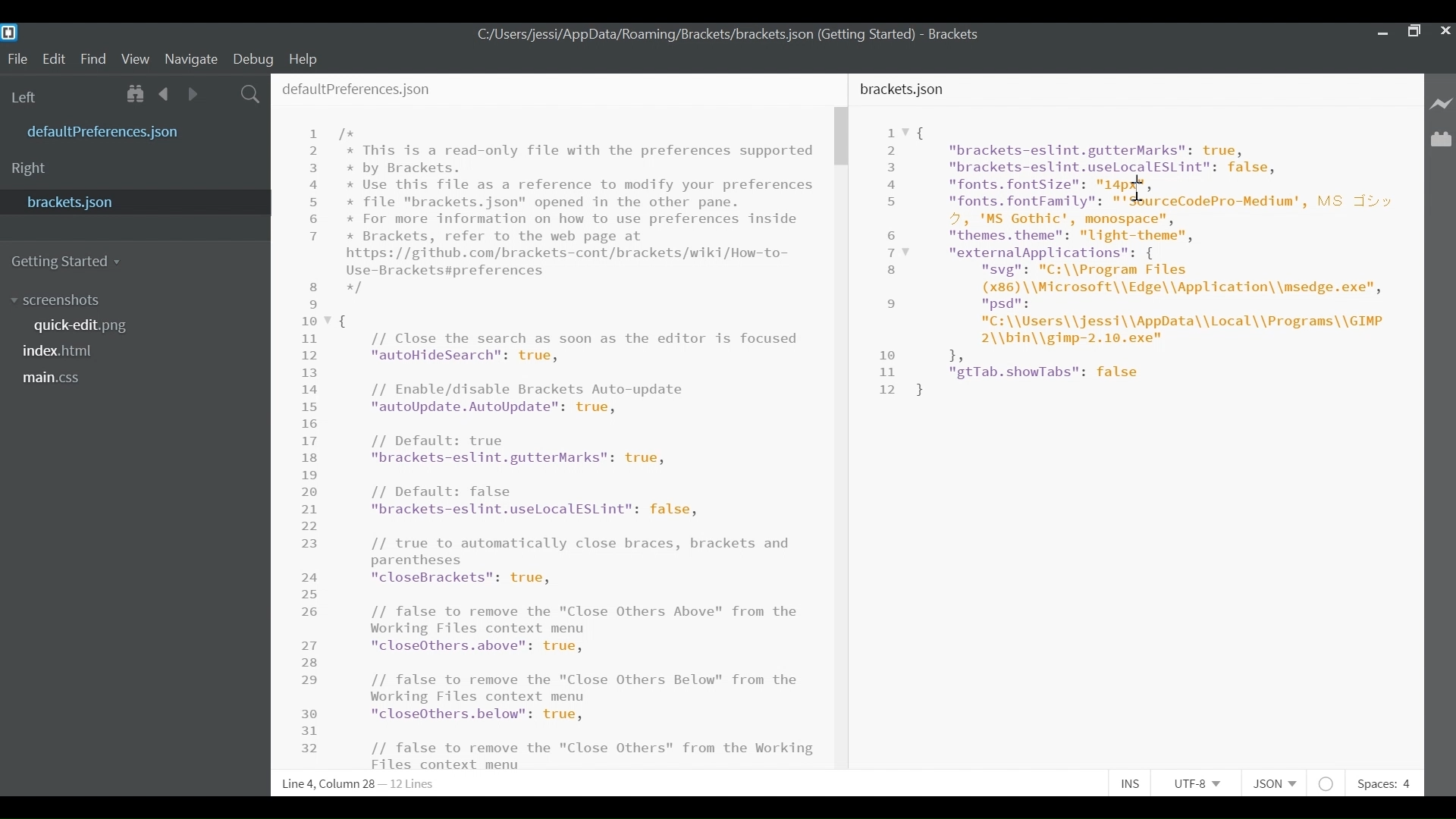 This screenshot has width=1456, height=819. What do you see at coordinates (83, 326) in the screenshot?
I see `quick-edit.png File` at bounding box center [83, 326].